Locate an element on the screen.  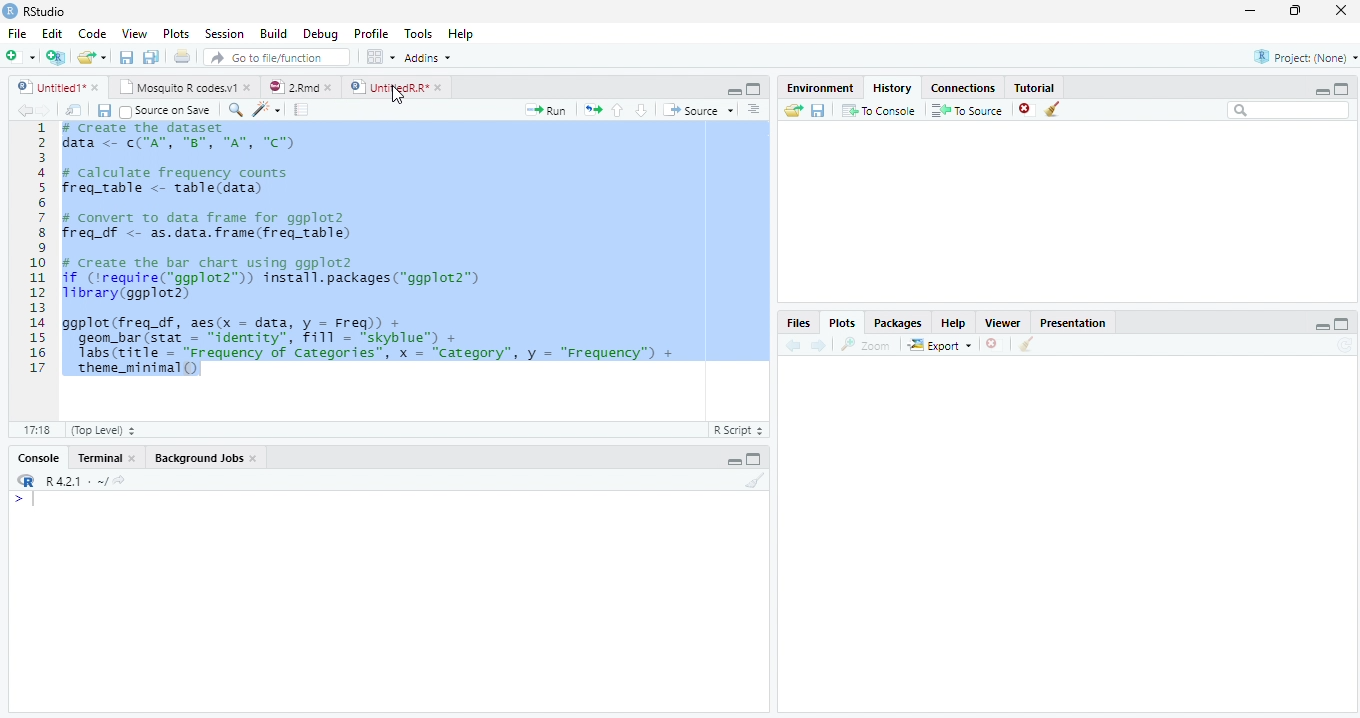
Packages is located at coordinates (900, 322).